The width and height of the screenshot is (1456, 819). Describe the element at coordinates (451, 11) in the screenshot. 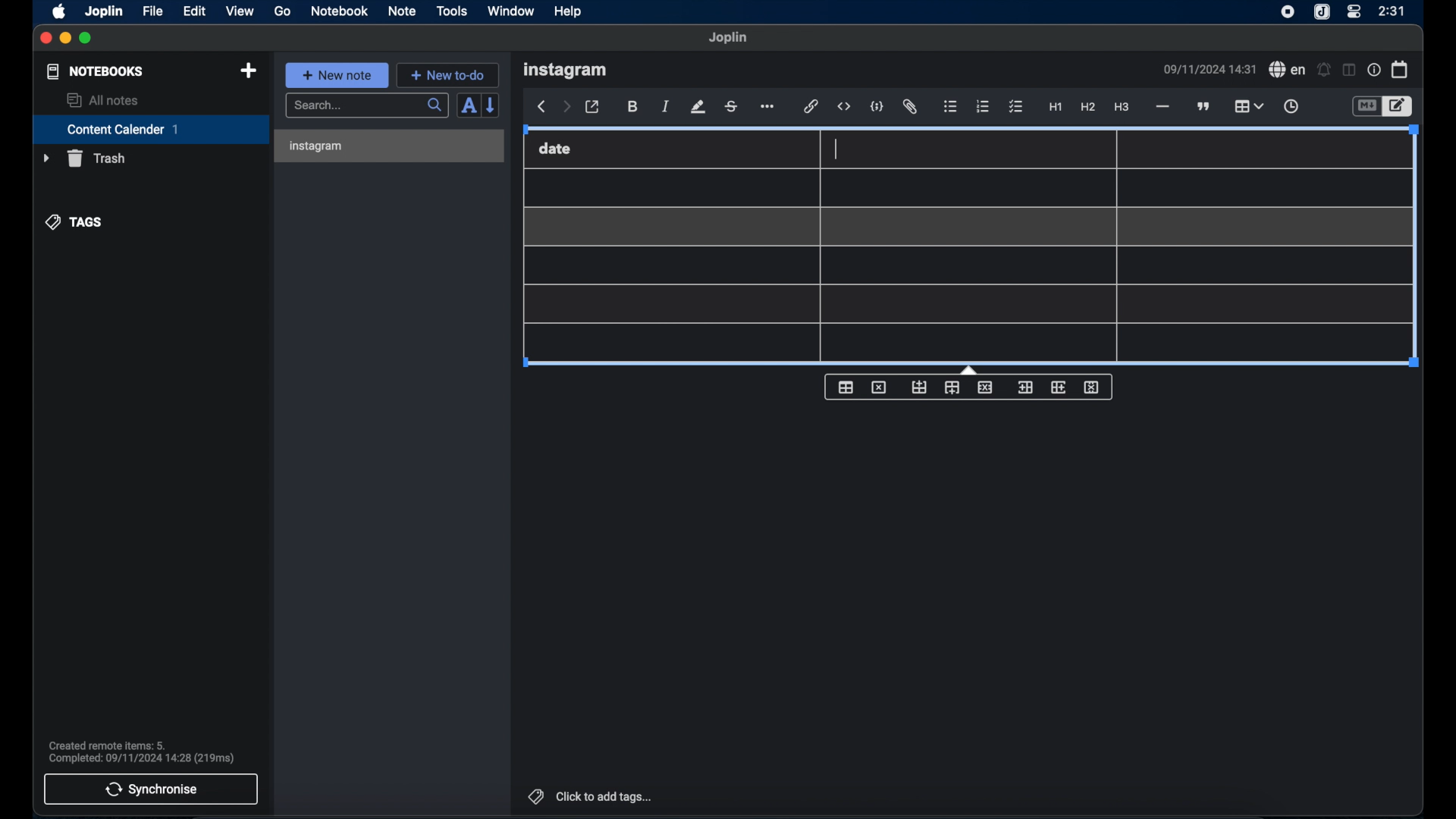

I see `tools` at that location.